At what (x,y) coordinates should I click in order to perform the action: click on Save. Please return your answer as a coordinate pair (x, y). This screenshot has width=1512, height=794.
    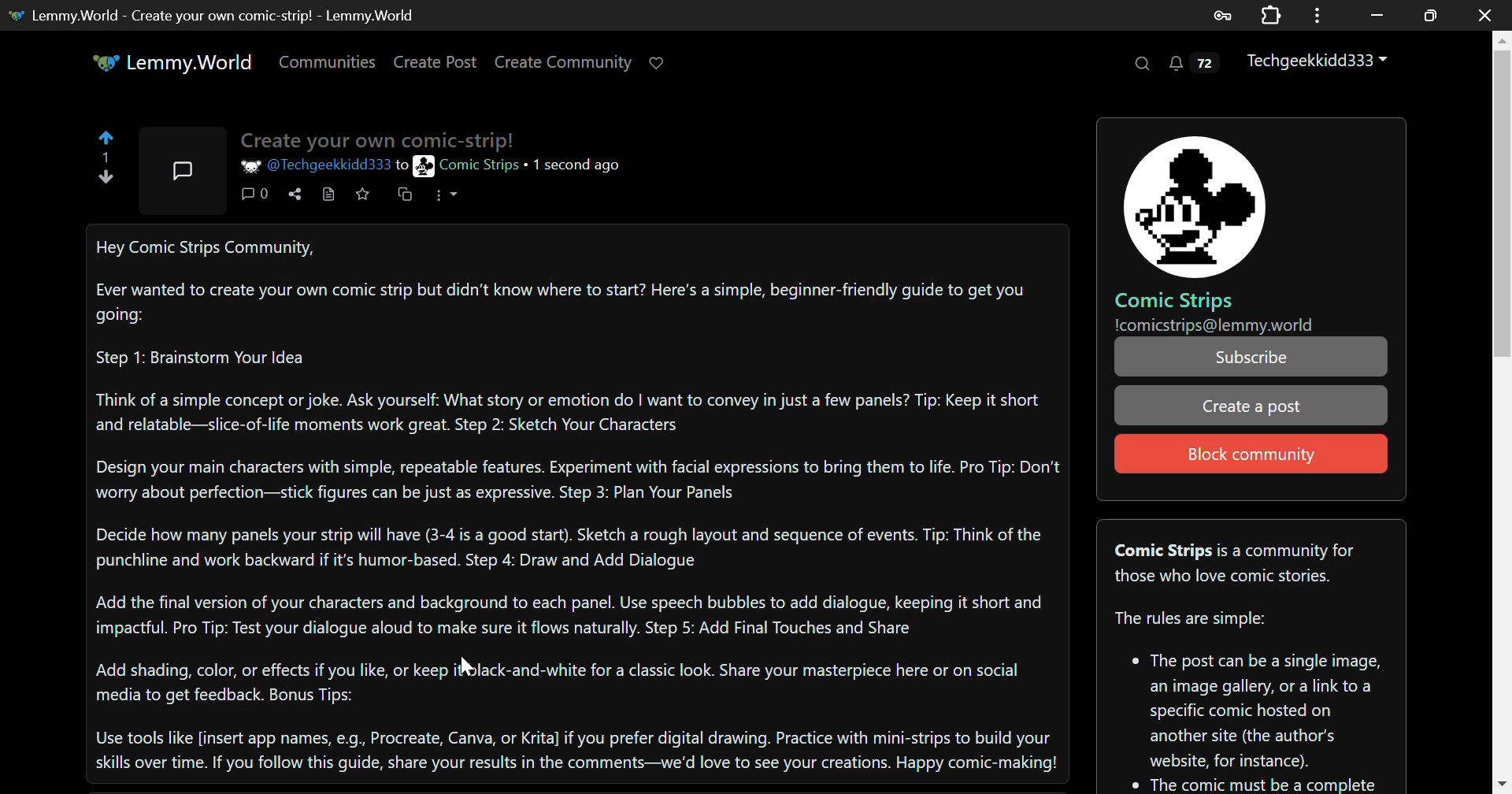
    Looking at the image, I should click on (365, 198).